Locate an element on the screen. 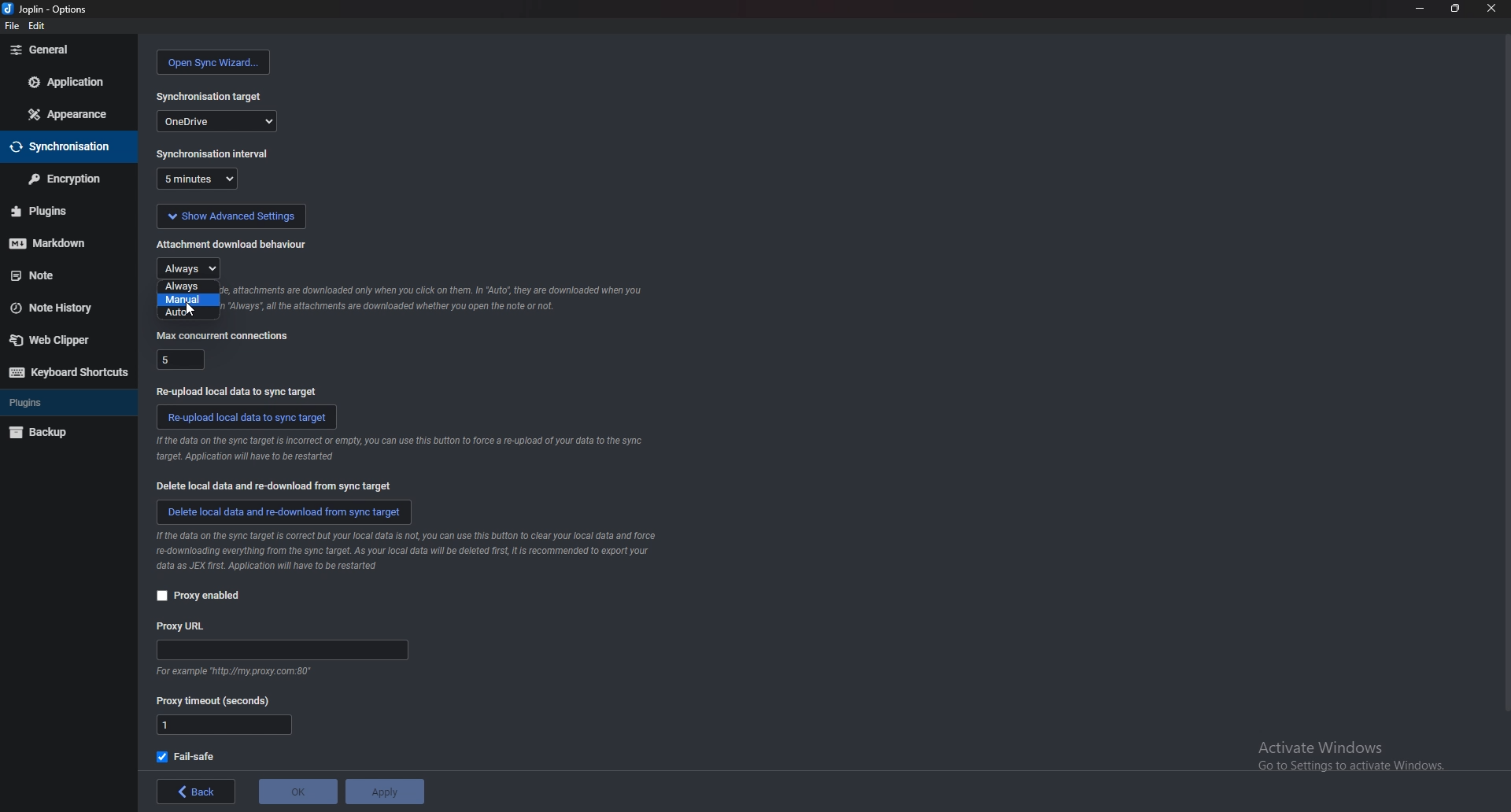 This screenshot has width=1511, height=812. proxy url is located at coordinates (182, 627).